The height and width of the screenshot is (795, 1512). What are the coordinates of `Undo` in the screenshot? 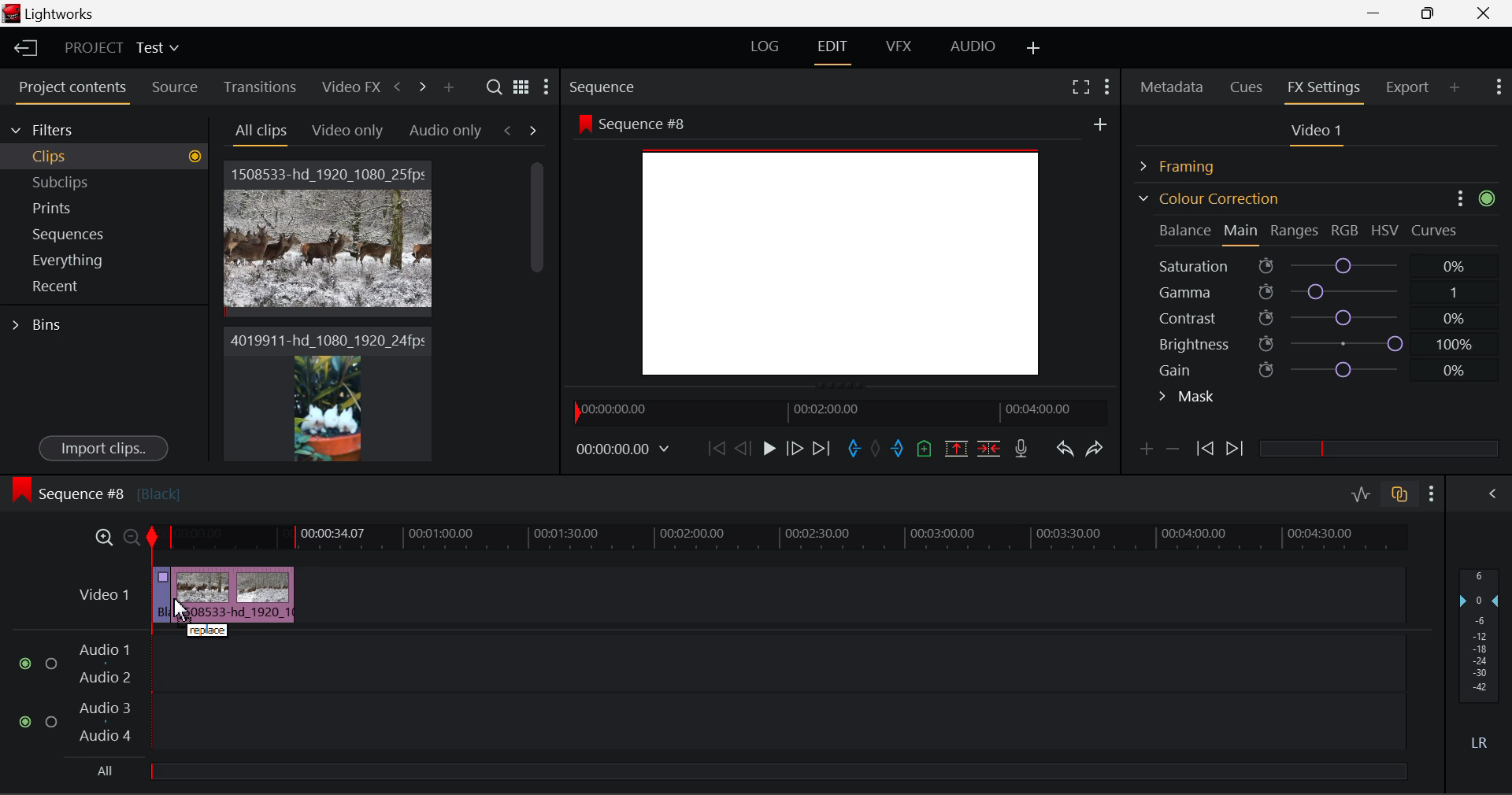 It's located at (1064, 452).